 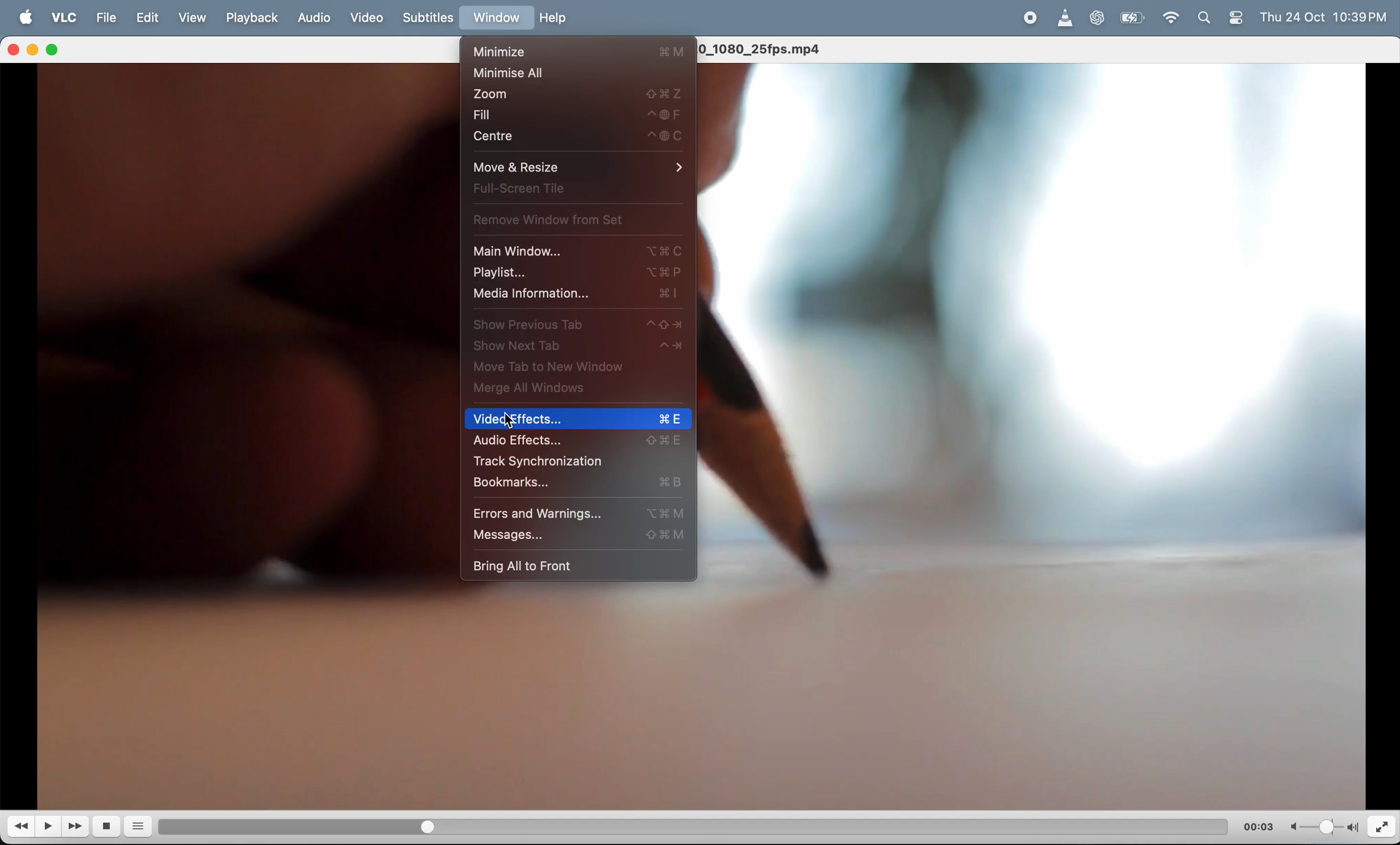 I want to click on video, so click(x=367, y=15).